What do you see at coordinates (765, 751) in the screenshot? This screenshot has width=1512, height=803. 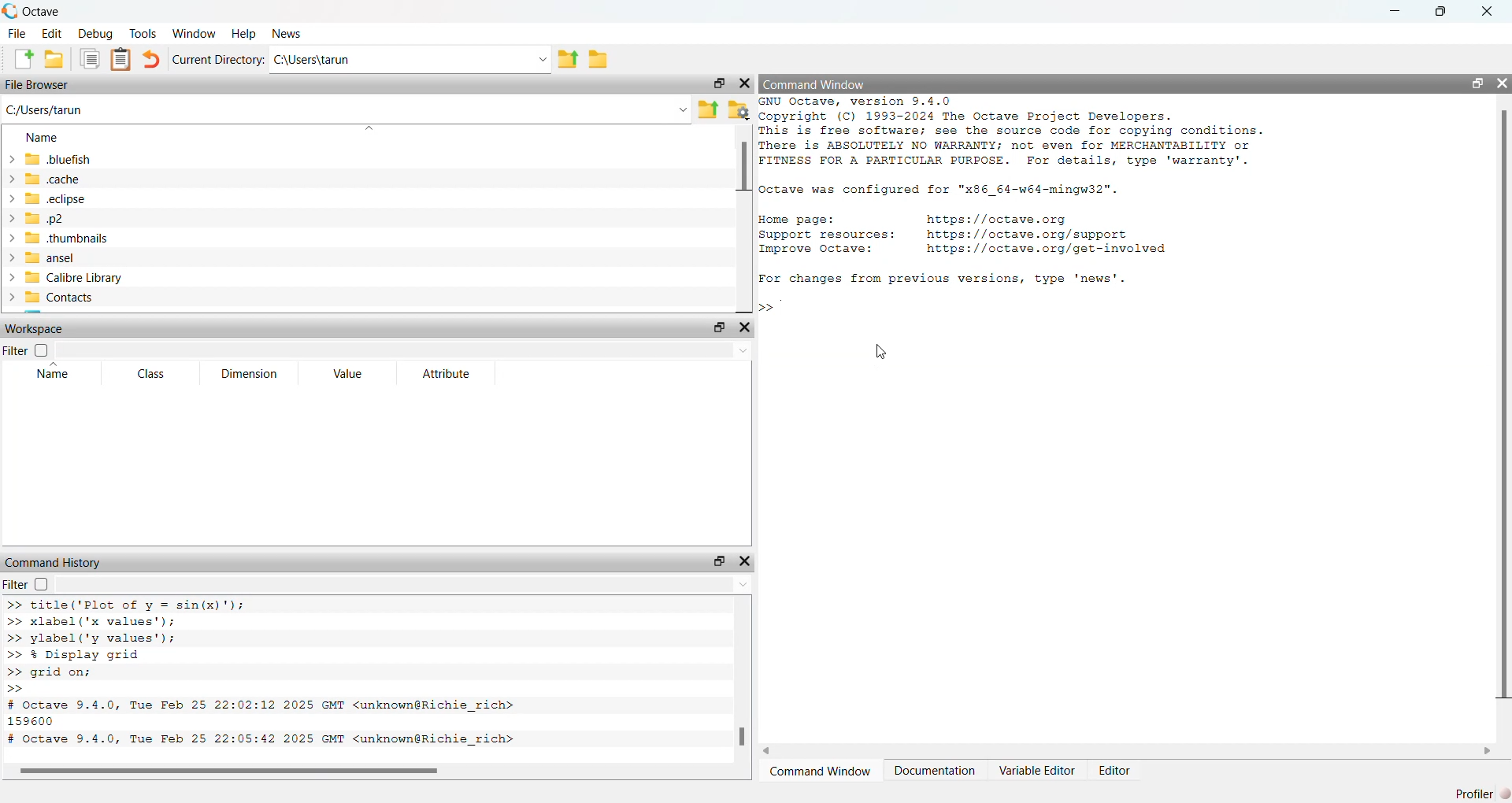 I see `scroll left` at bounding box center [765, 751].